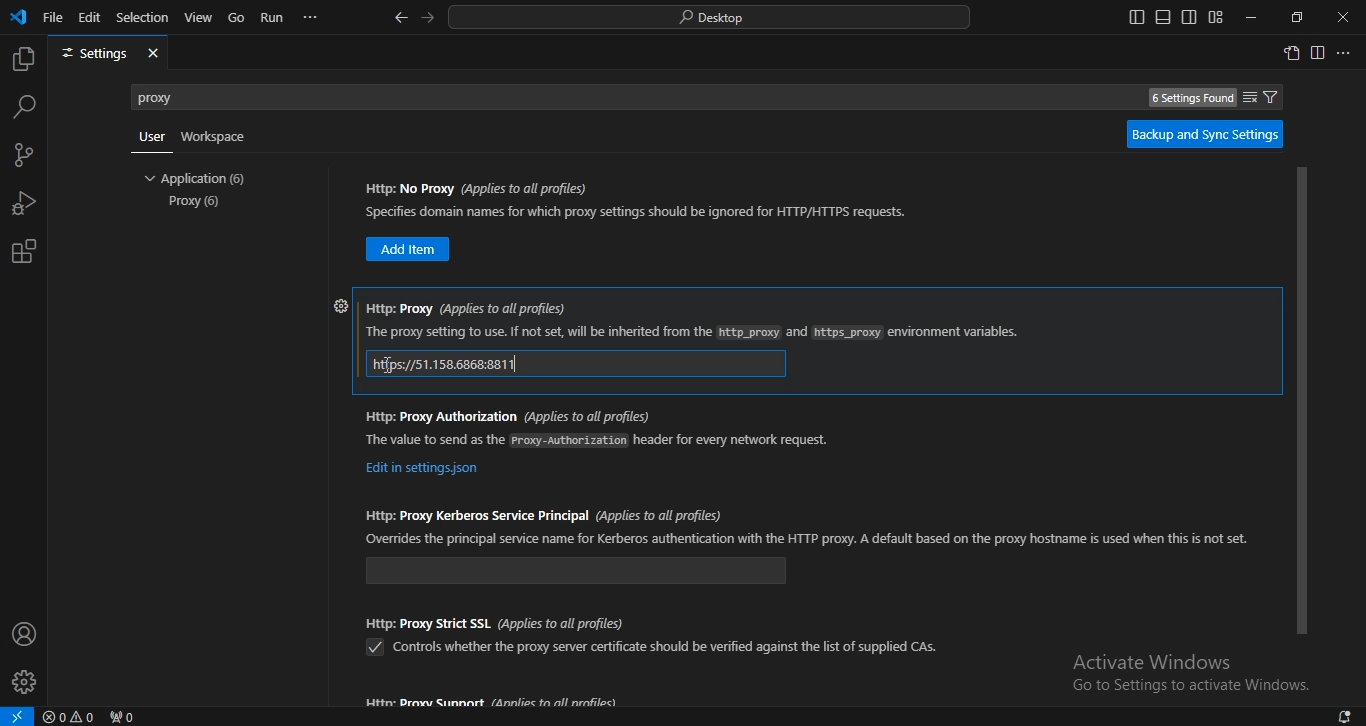 The width and height of the screenshot is (1366, 726). What do you see at coordinates (338, 305) in the screenshot?
I see `Settings icon` at bounding box center [338, 305].